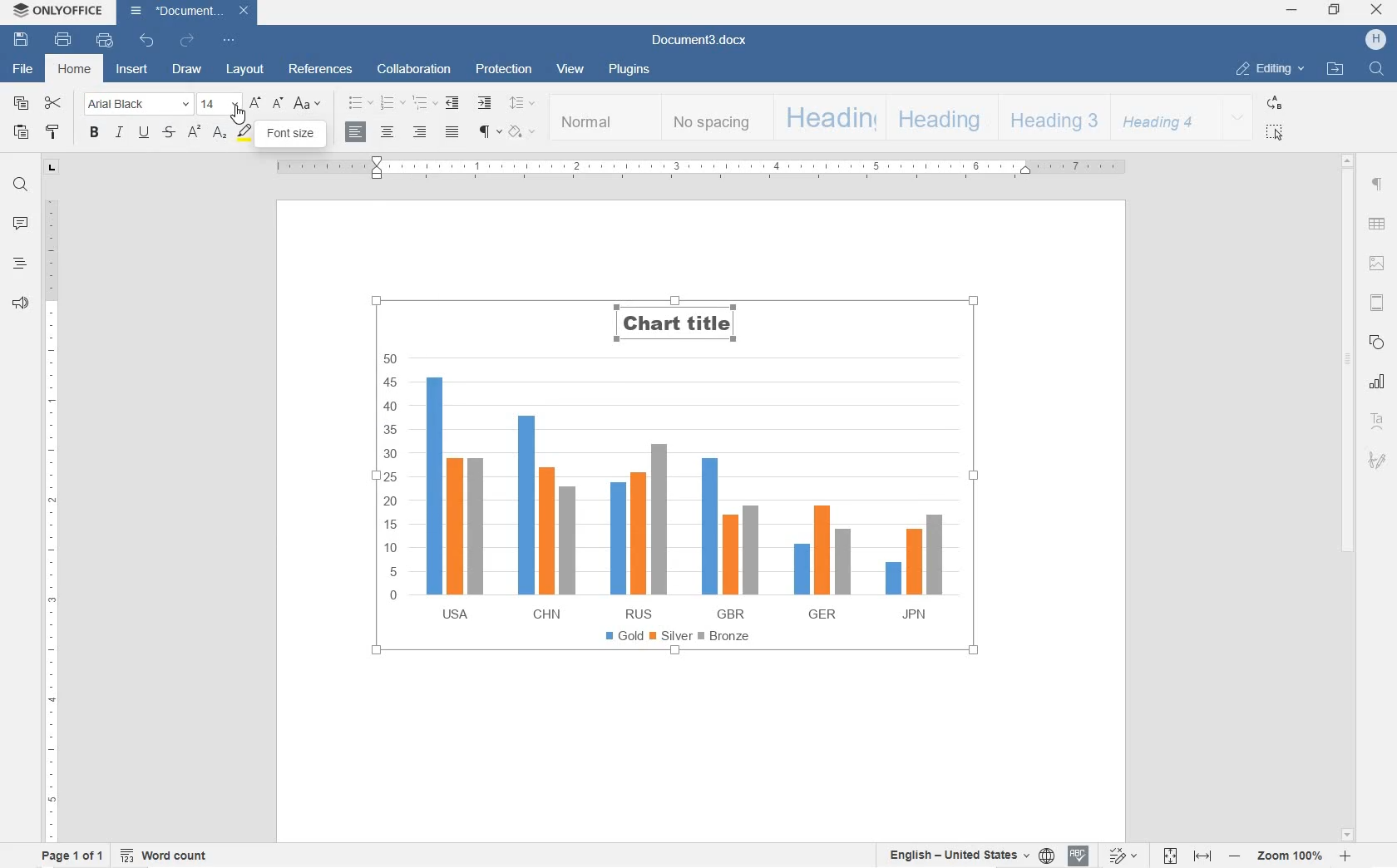  What do you see at coordinates (19, 265) in the screenshot?
I see `HEADINGS` at bounding box center [19, 265].